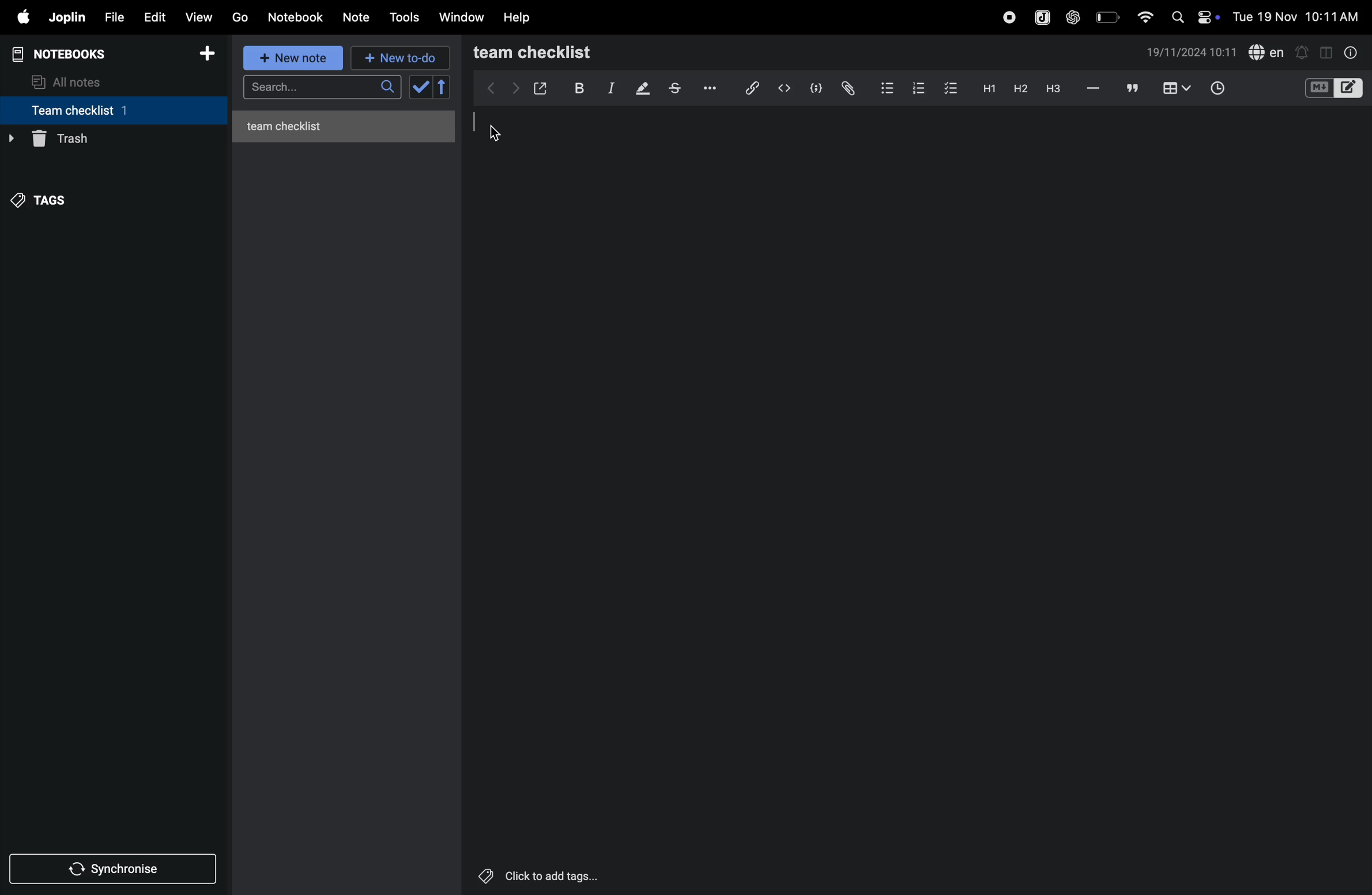  What do you see at coordinates (986, 88) in the screenshot?
I see `heading 2` at bounding box center [986, 88].